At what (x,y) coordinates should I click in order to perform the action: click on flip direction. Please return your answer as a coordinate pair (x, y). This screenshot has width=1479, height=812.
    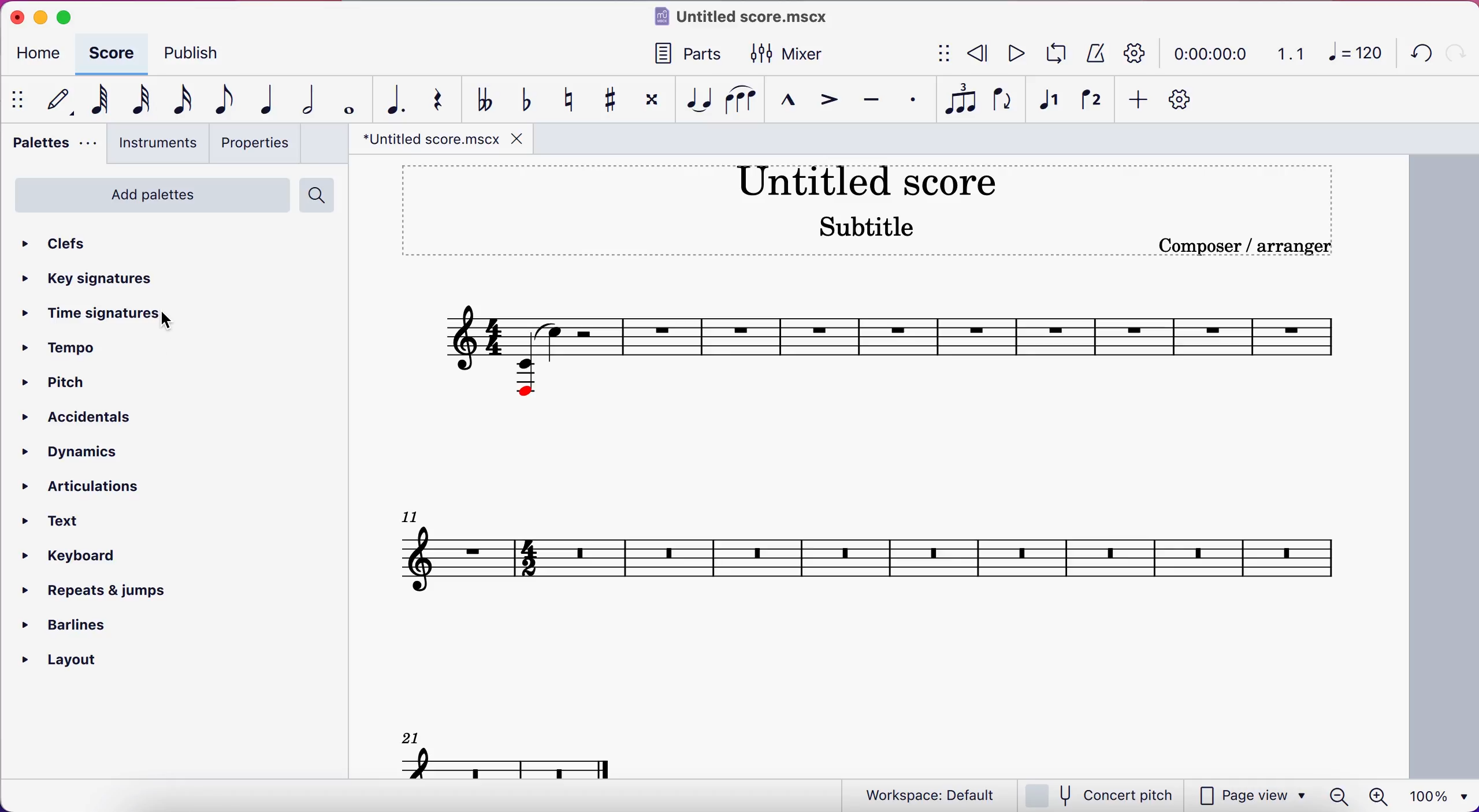
    Looking at the image, I should click on (1004, 99).